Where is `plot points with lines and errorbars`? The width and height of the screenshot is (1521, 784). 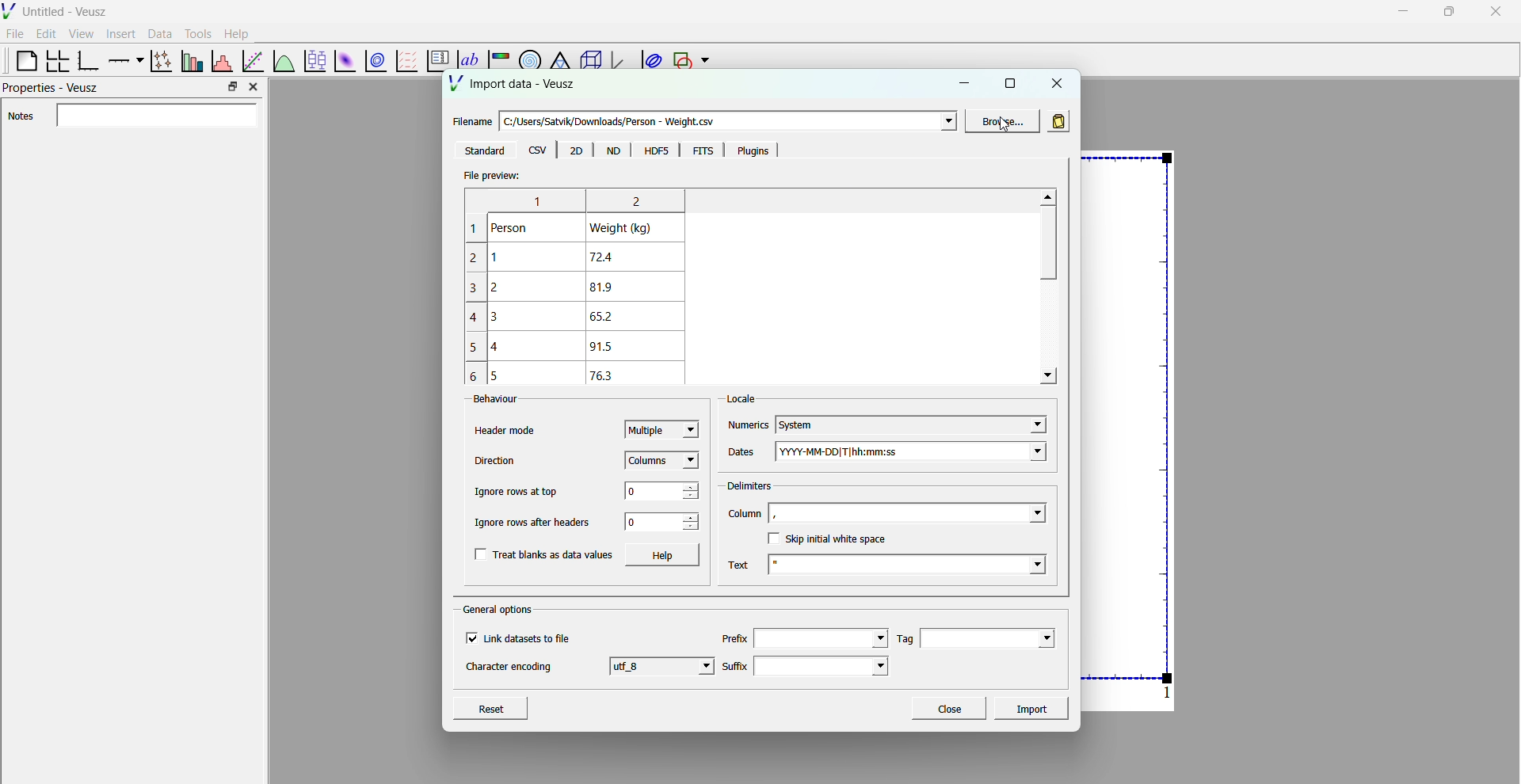 plot points with lines and errorbars is located at coordinates (159, 61).